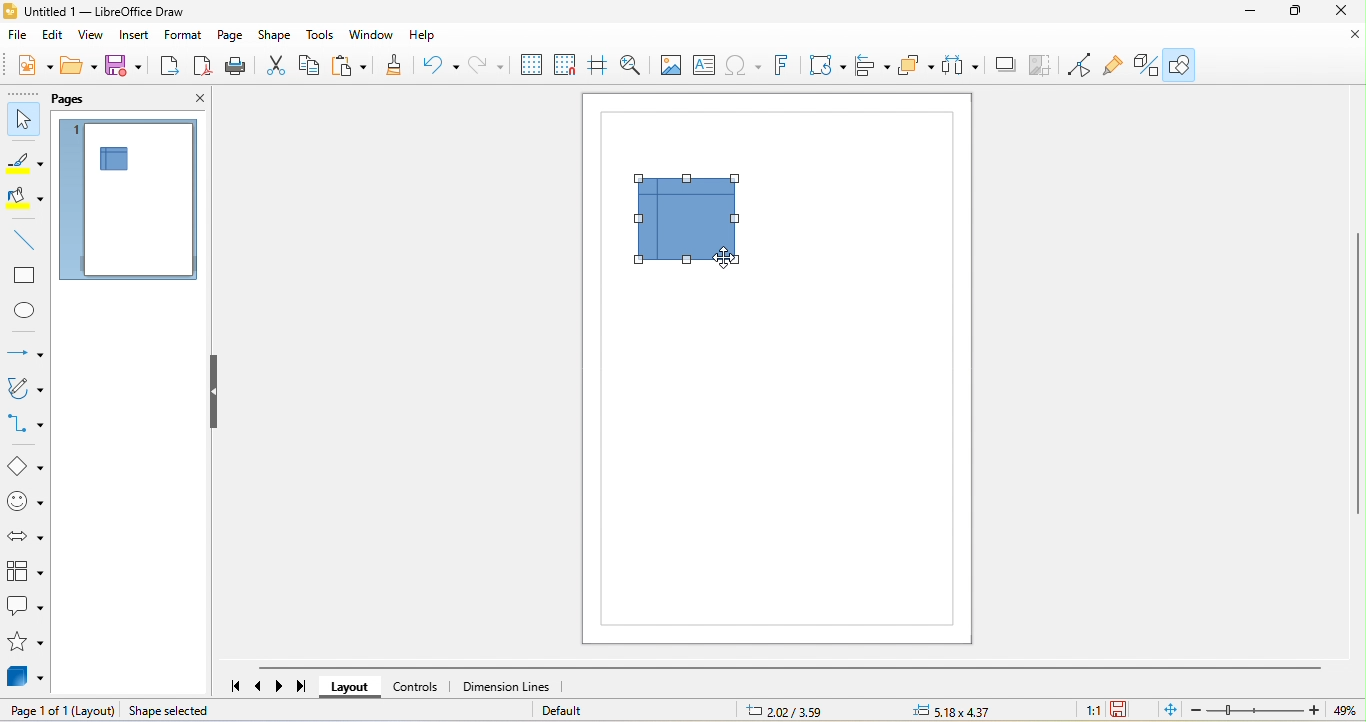 The height and width of the screenshot is (722, 1366). I want to click on transformation, so click(828, 67).